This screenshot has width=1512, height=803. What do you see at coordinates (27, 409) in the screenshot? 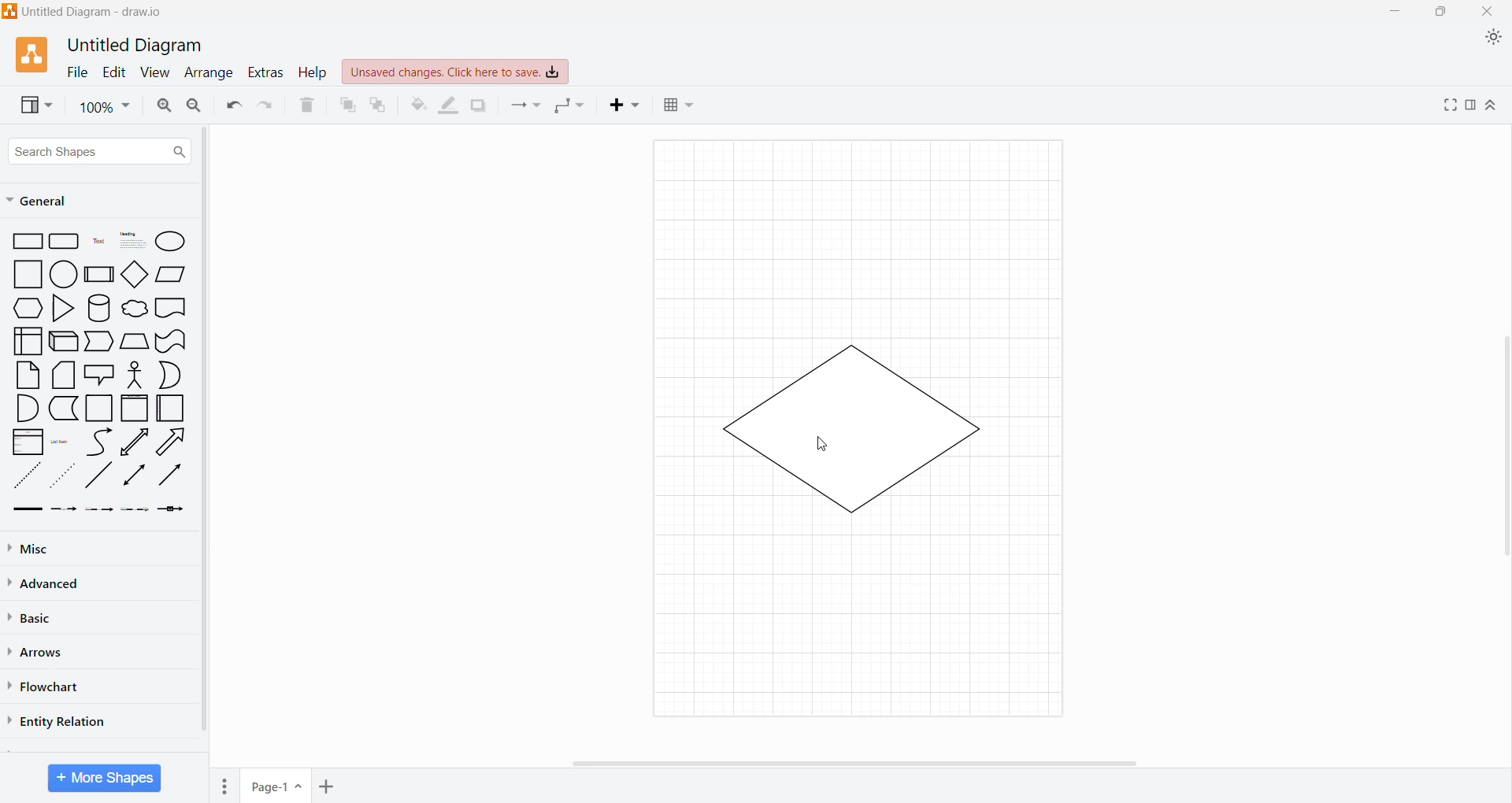
I see `And` at bounding box center [27, 409].